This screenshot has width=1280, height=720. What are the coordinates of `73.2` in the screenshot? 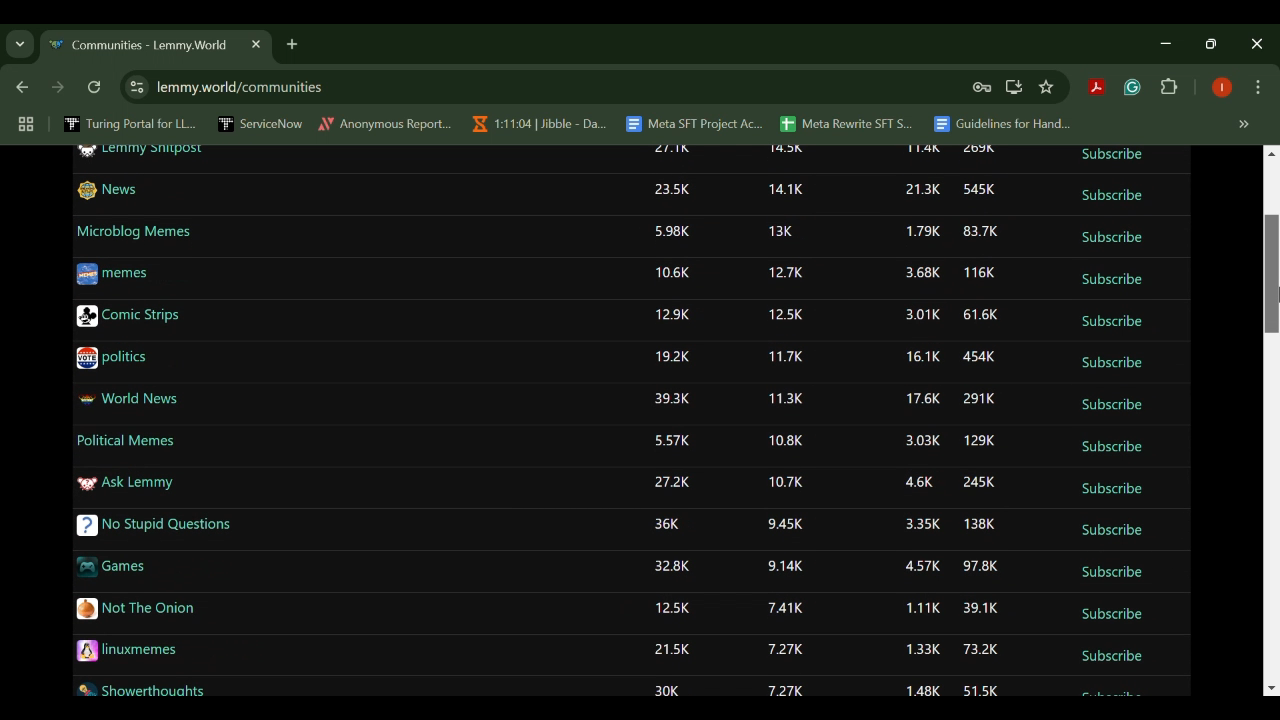 It's located at (979, 651).